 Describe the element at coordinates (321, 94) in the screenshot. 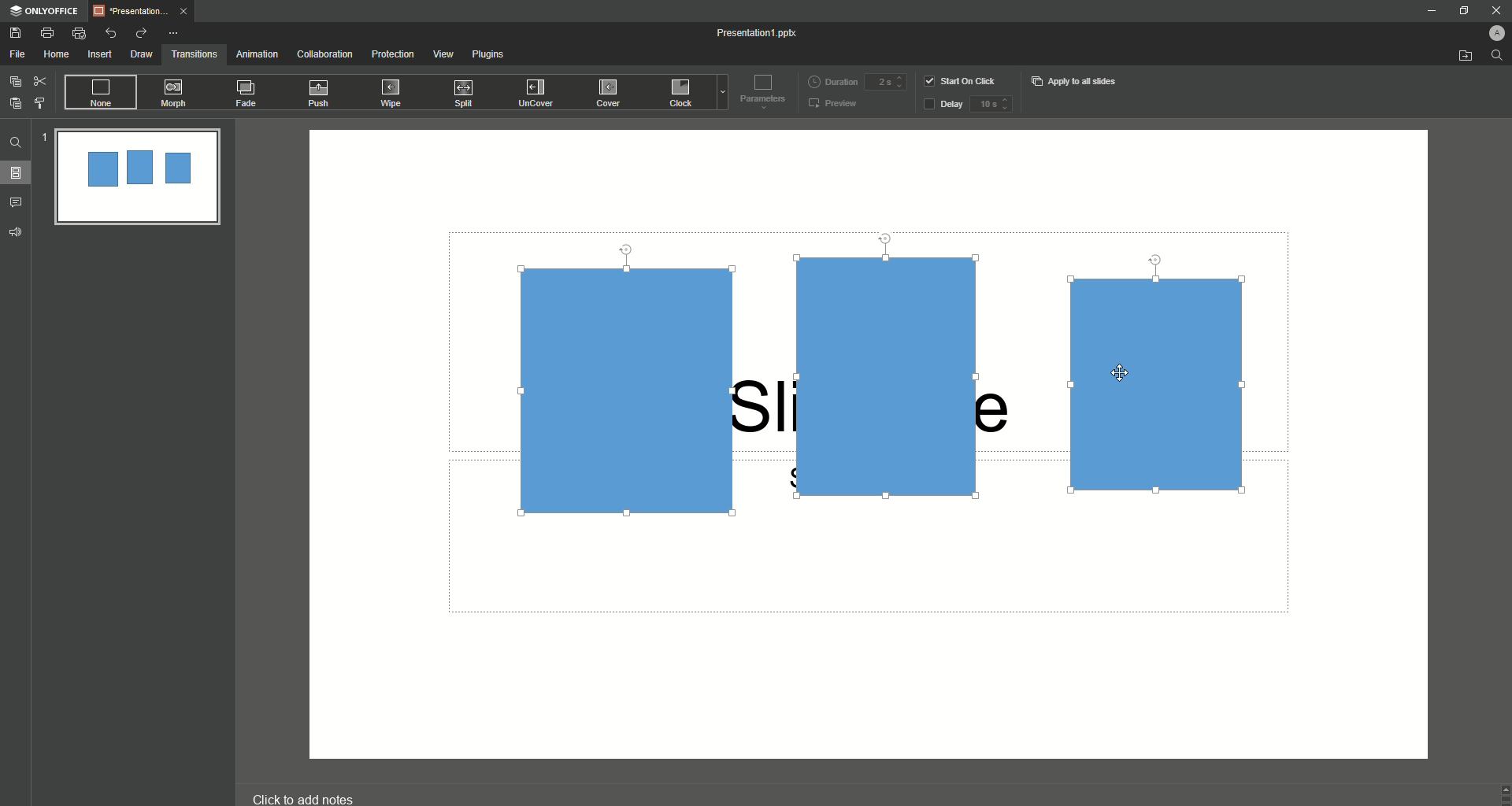

I see `Push` at that location.